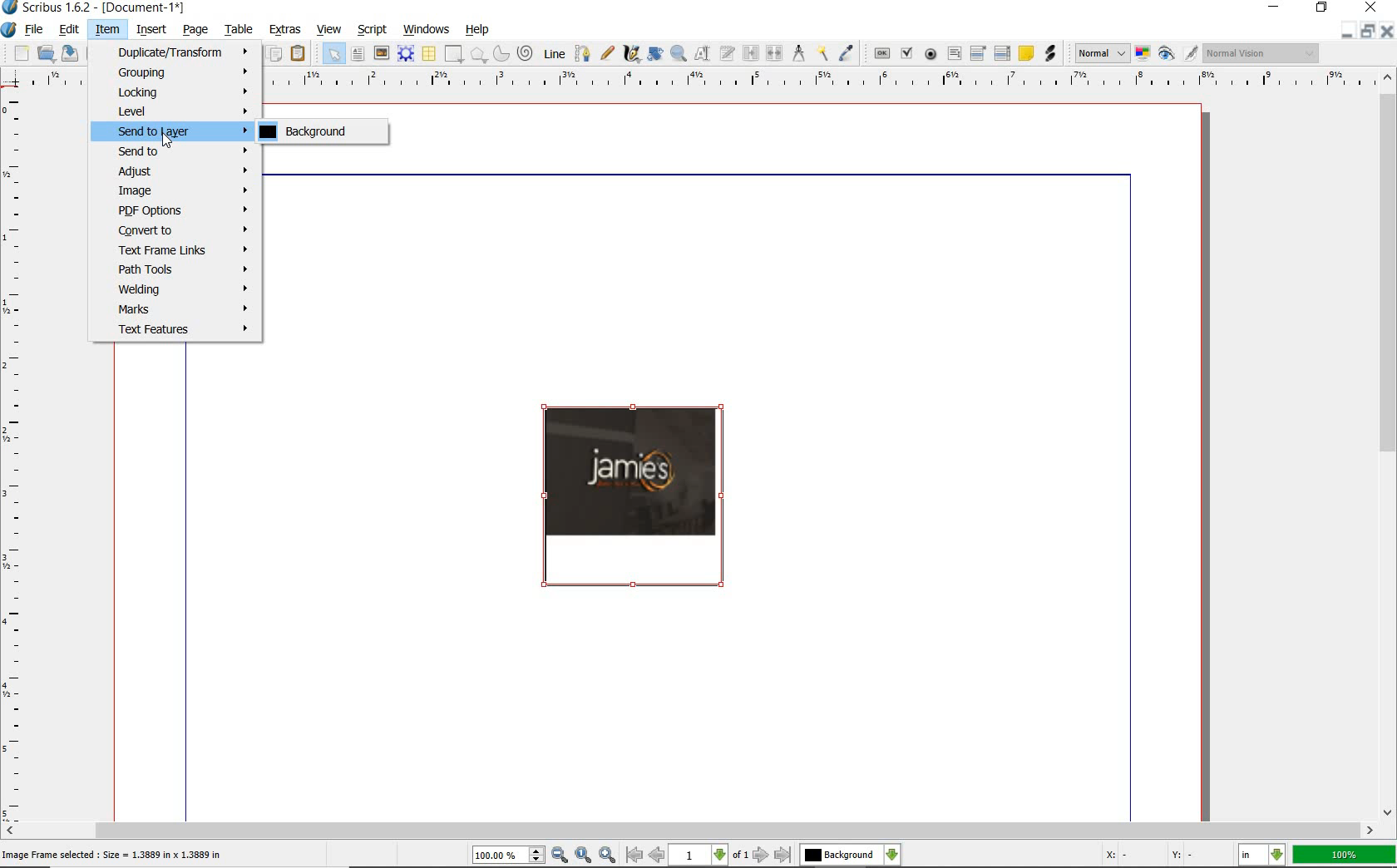 The image size is (1397, 868). Describe the element at coordinates (1389, 31) in the screenshot. I see `Close` at that location.